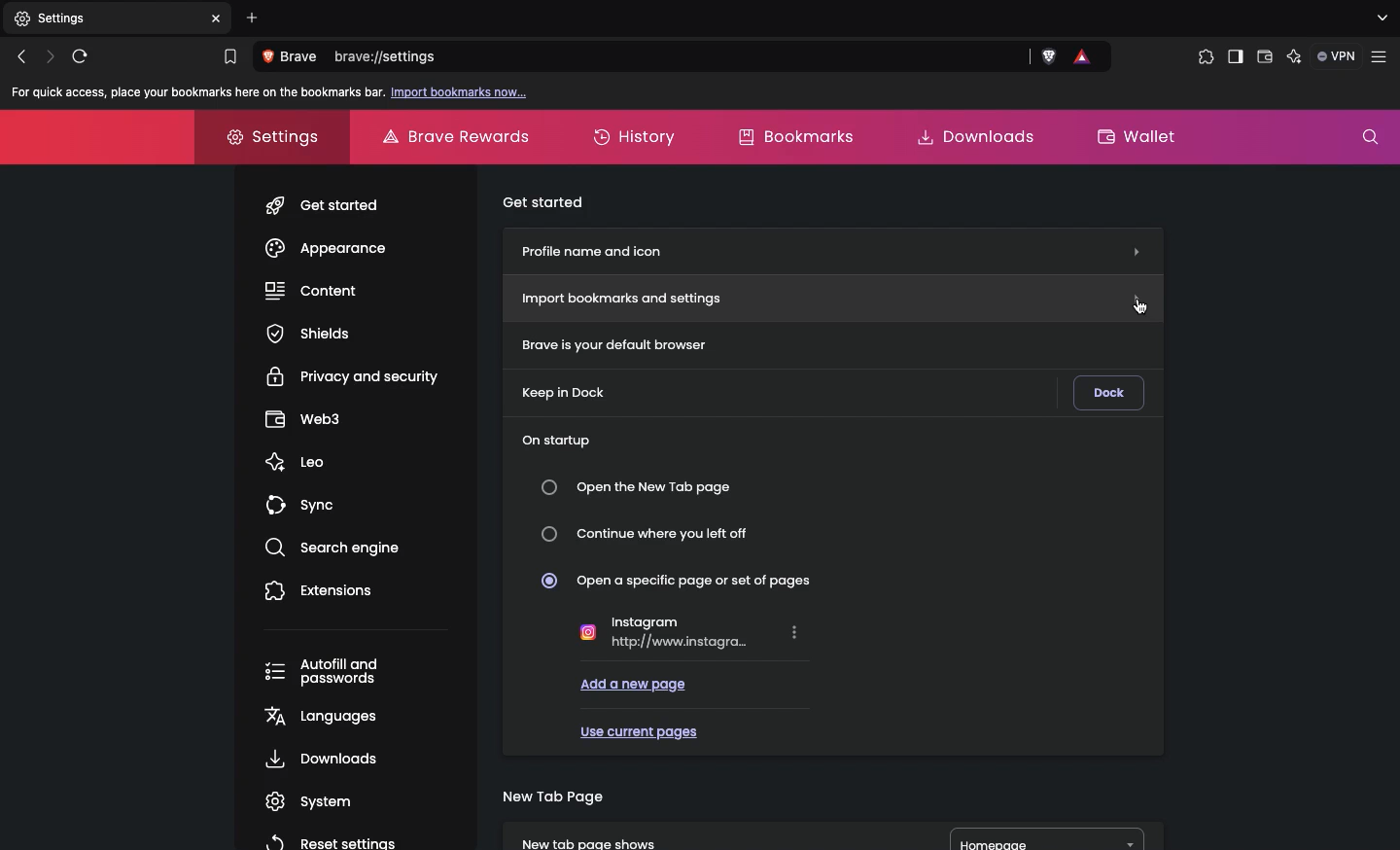 Image resolution: width=1400 pixels, height=850 pixels. What do you see at coordinates (1294, 57) in the screenshot?
I see `leo AI` at bounding box center [1294, 57].